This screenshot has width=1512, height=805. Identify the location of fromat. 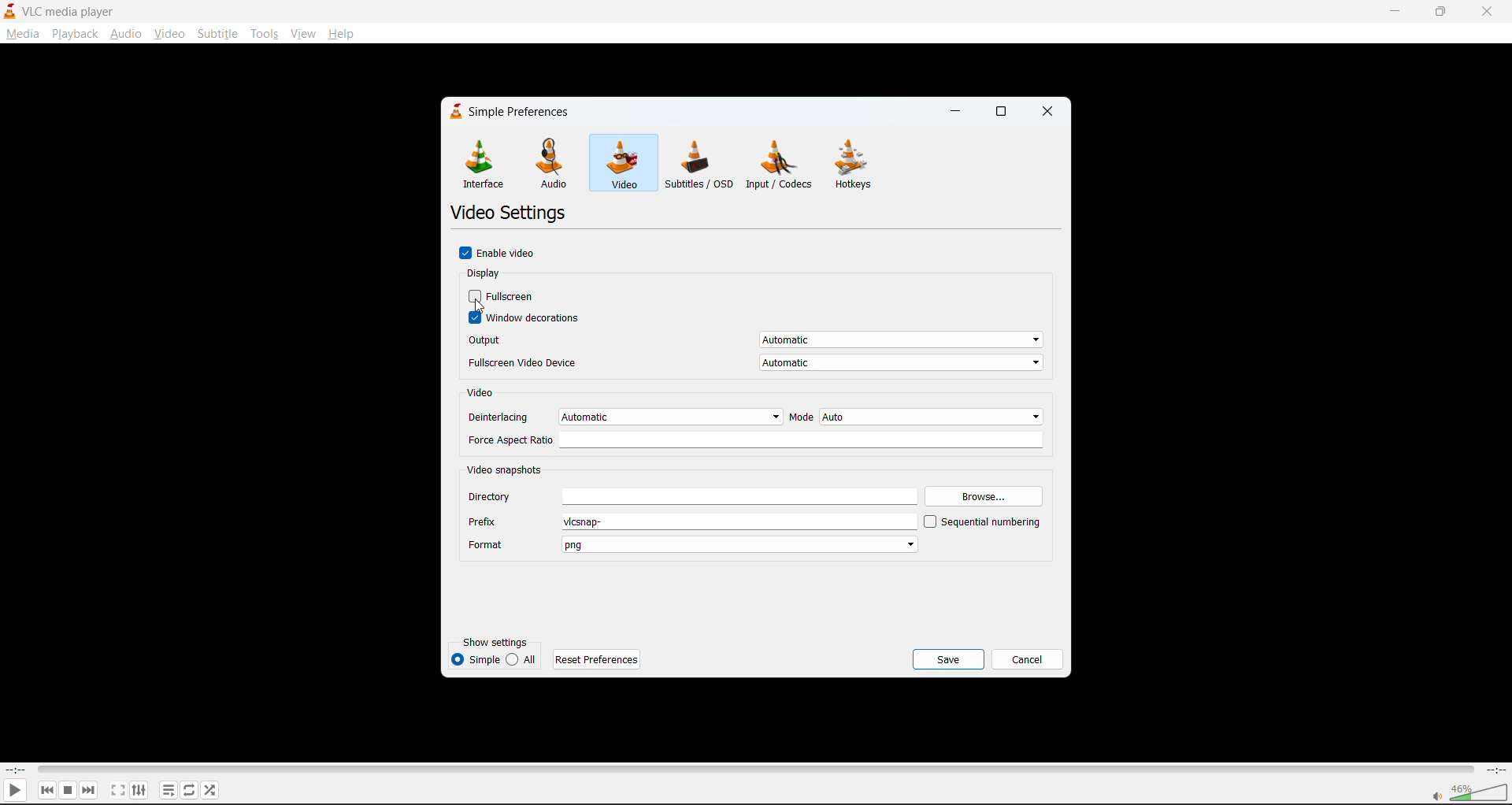
(698, 542).